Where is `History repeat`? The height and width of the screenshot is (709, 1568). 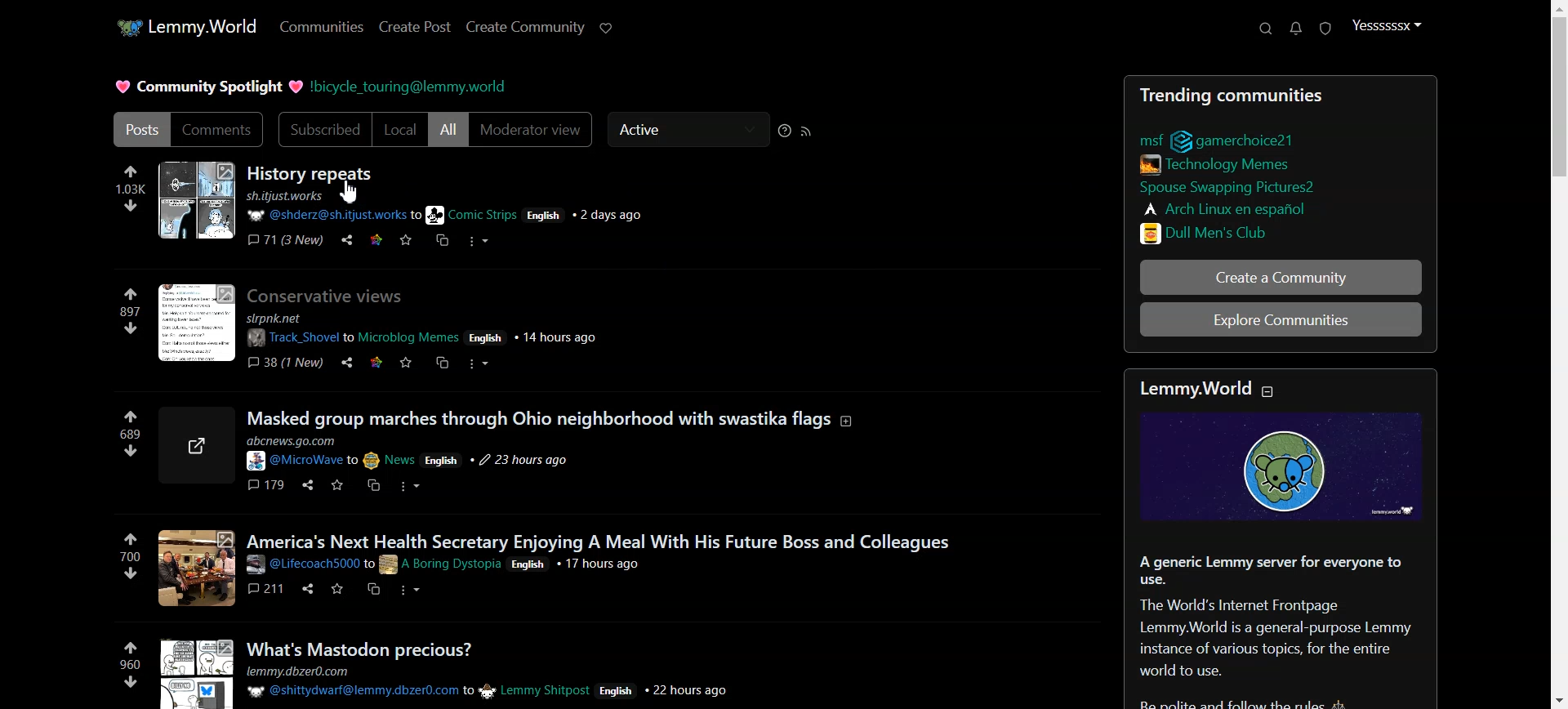 History repeat is located at coordinates (310, 173).